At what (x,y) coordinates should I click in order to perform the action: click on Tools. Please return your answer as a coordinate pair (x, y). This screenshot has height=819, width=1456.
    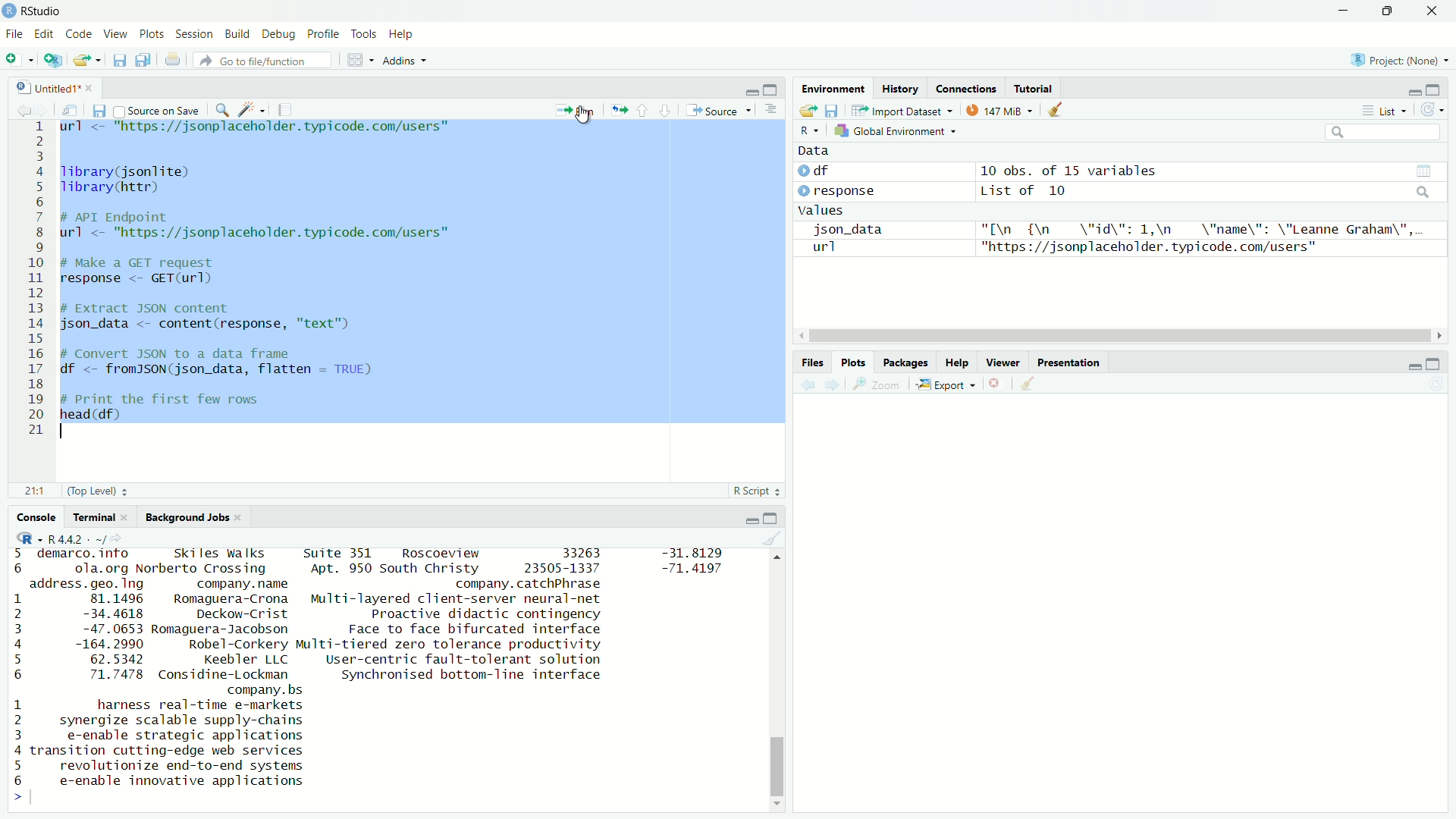
    Looking at the image, I should click on (365, 35).